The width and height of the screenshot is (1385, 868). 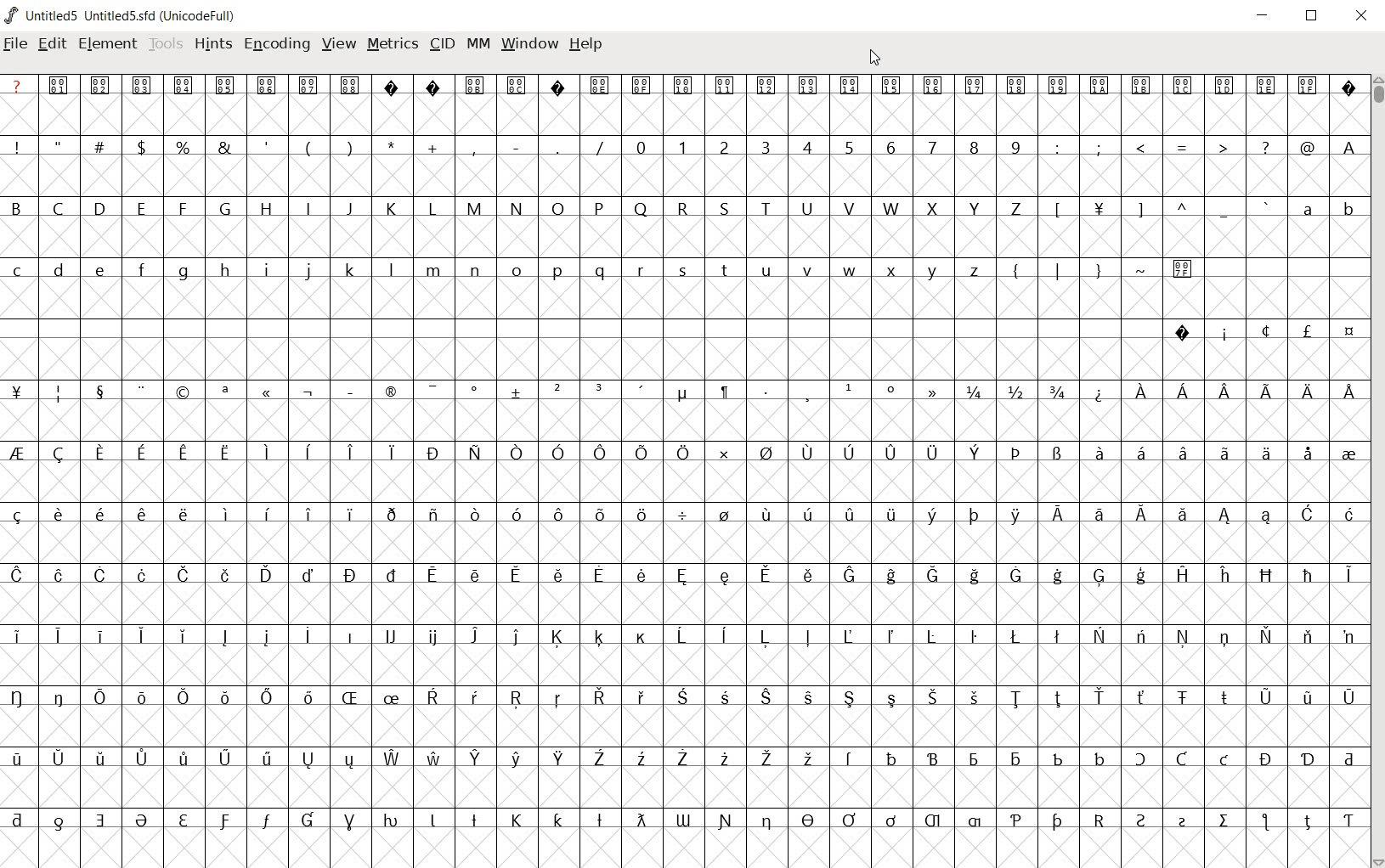 I want to click on Symbol, so click(x=807, y=396).